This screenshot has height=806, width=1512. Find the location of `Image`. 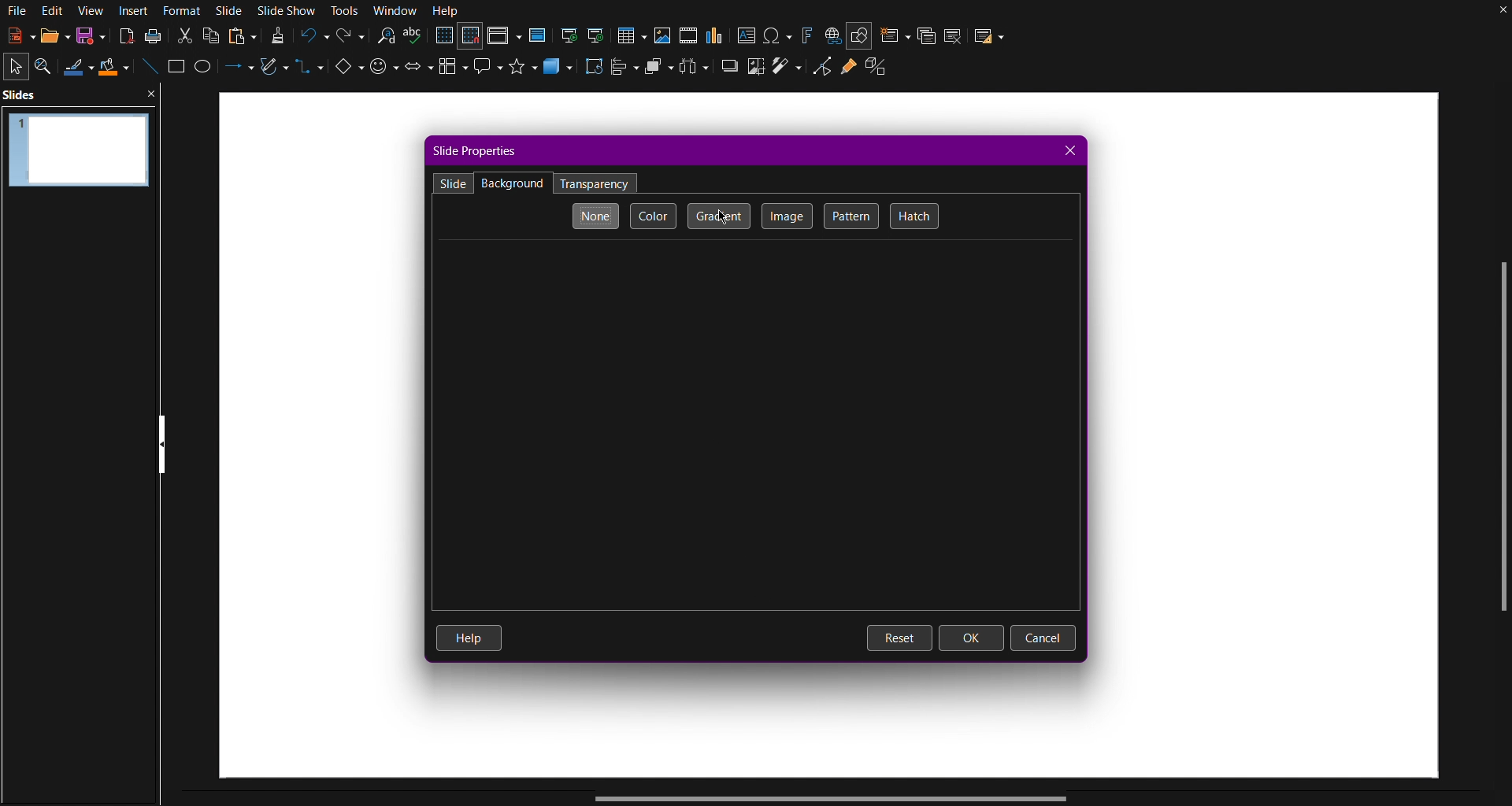

Image is located at coordinates (787, 216).